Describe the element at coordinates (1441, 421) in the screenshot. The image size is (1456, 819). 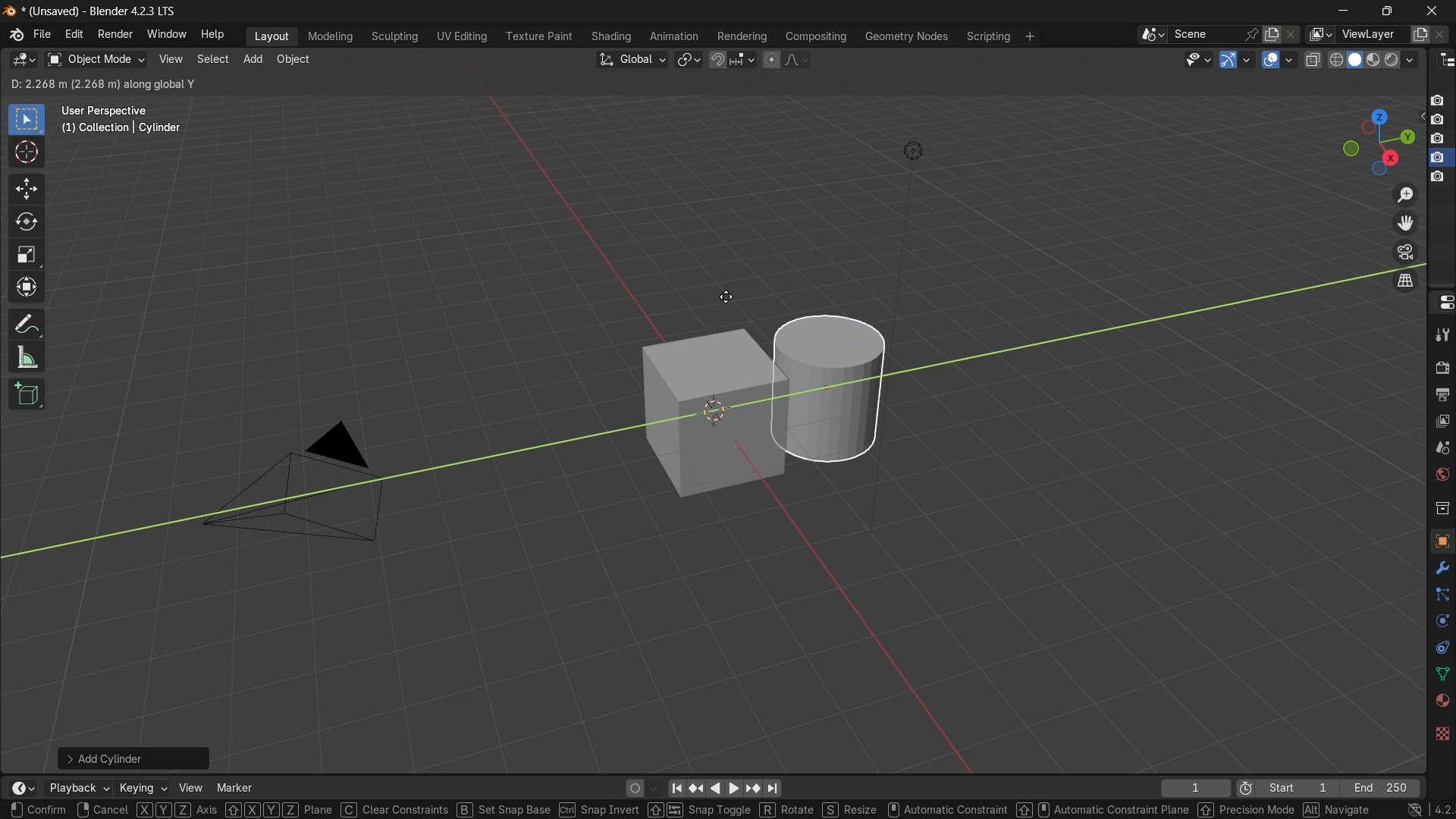
I see `view layer` at that location.